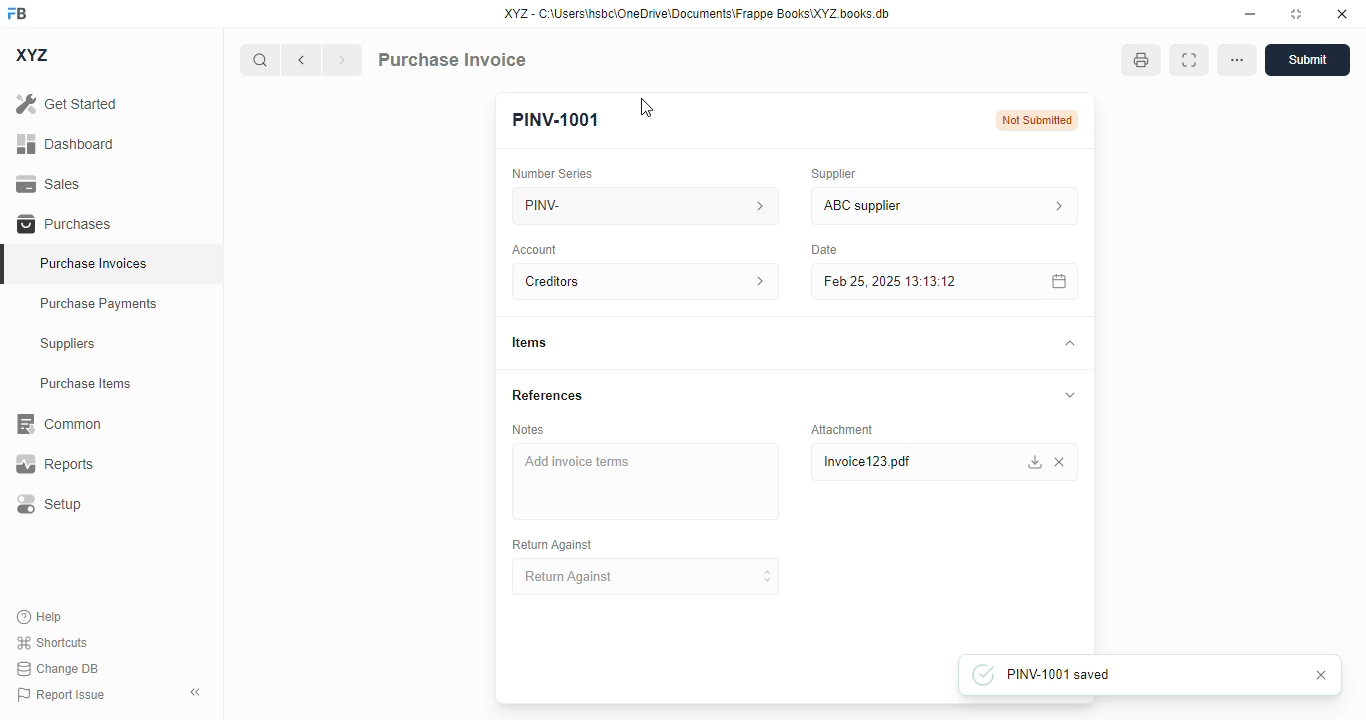  Describe the element at coordinates (261, 60) in the screenshot. I see `search` at that location.